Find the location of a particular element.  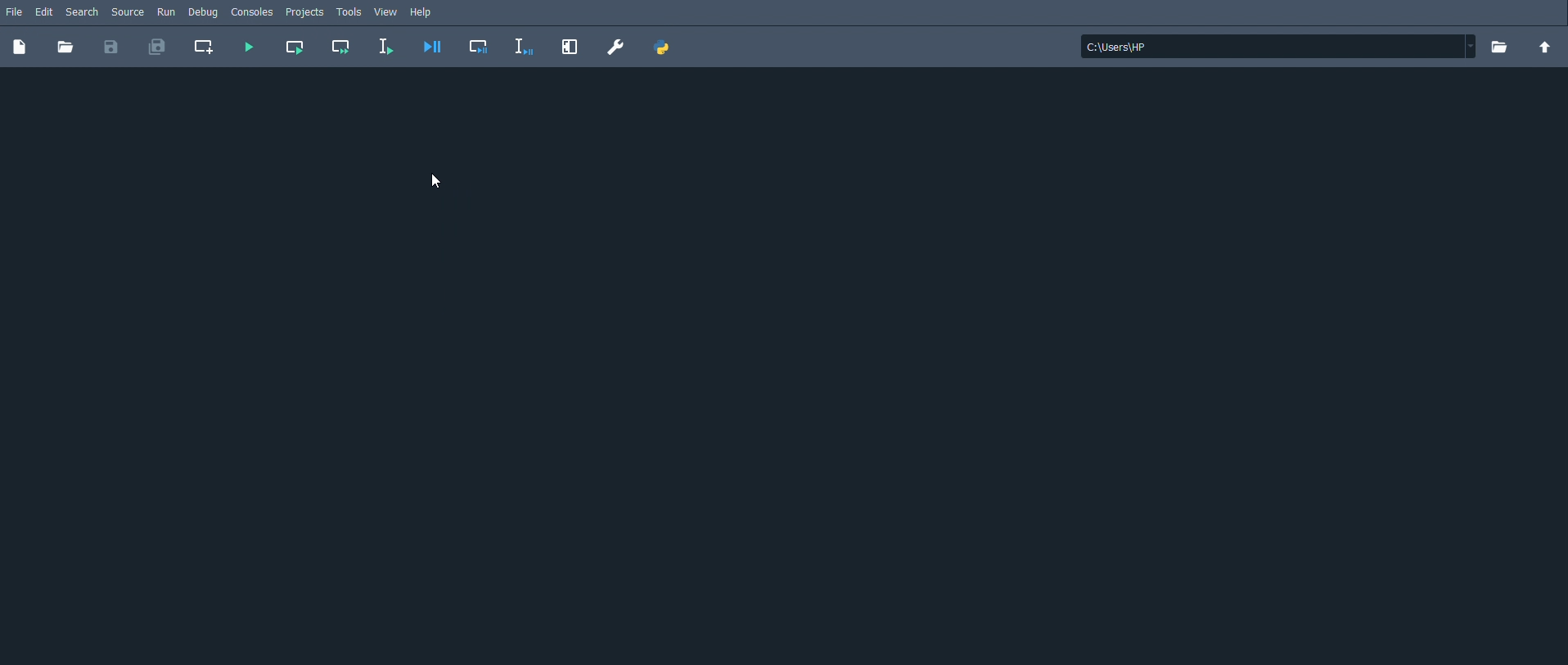

Save all files is located at coordinates (158, 47).